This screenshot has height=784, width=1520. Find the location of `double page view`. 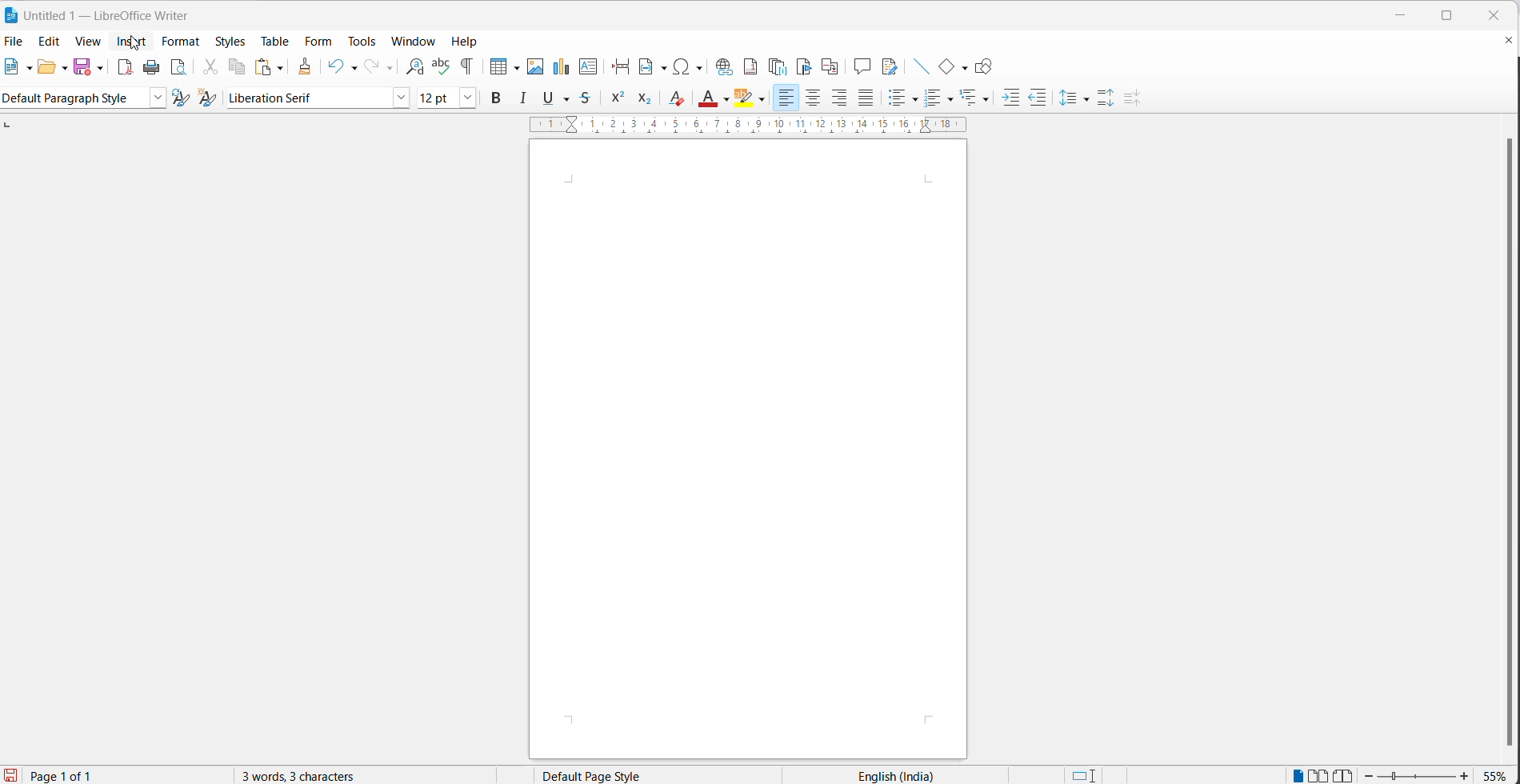

double page view is located at coordinates (1319, 774).